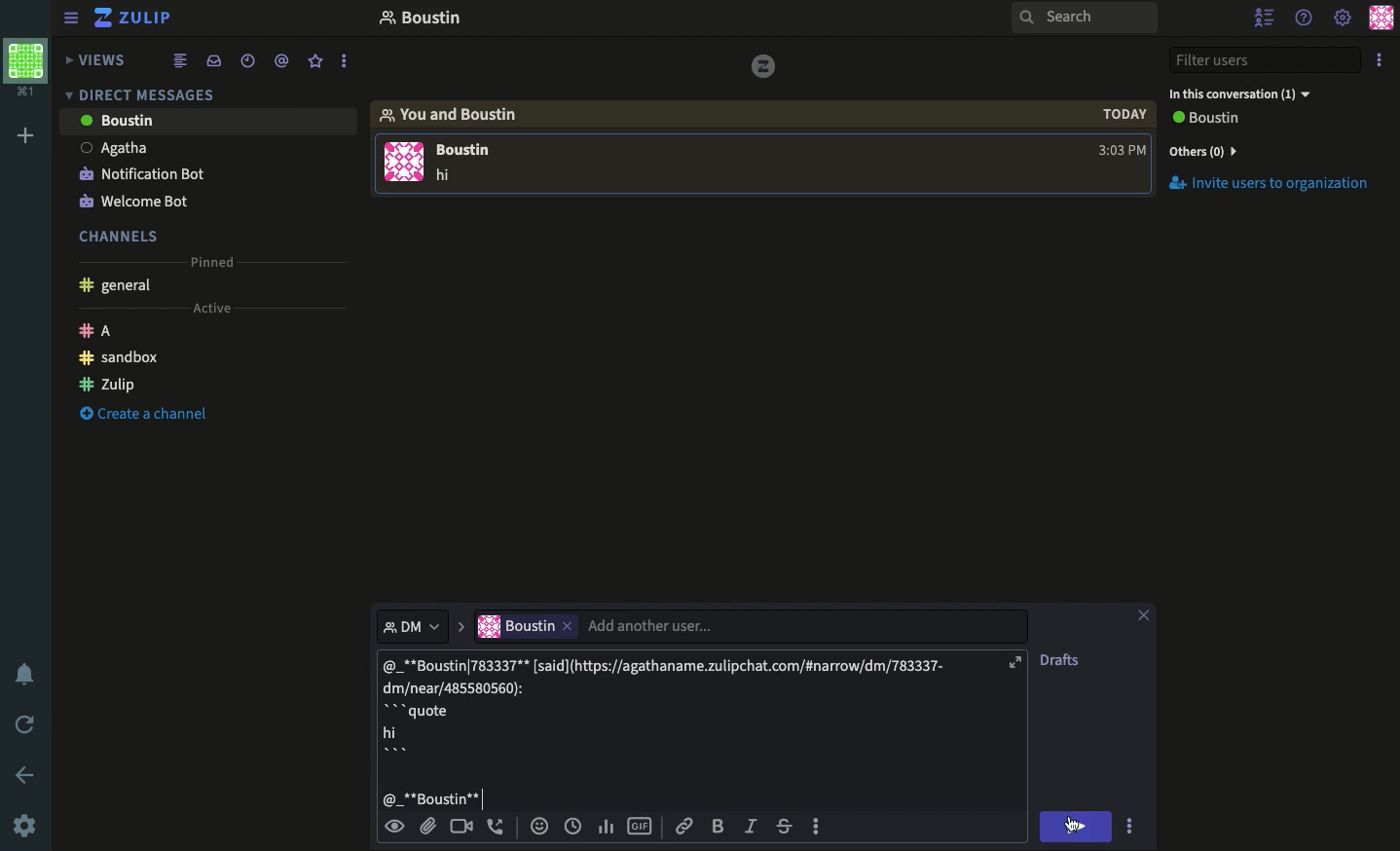  I want to click on Send, so click(1079, 826).